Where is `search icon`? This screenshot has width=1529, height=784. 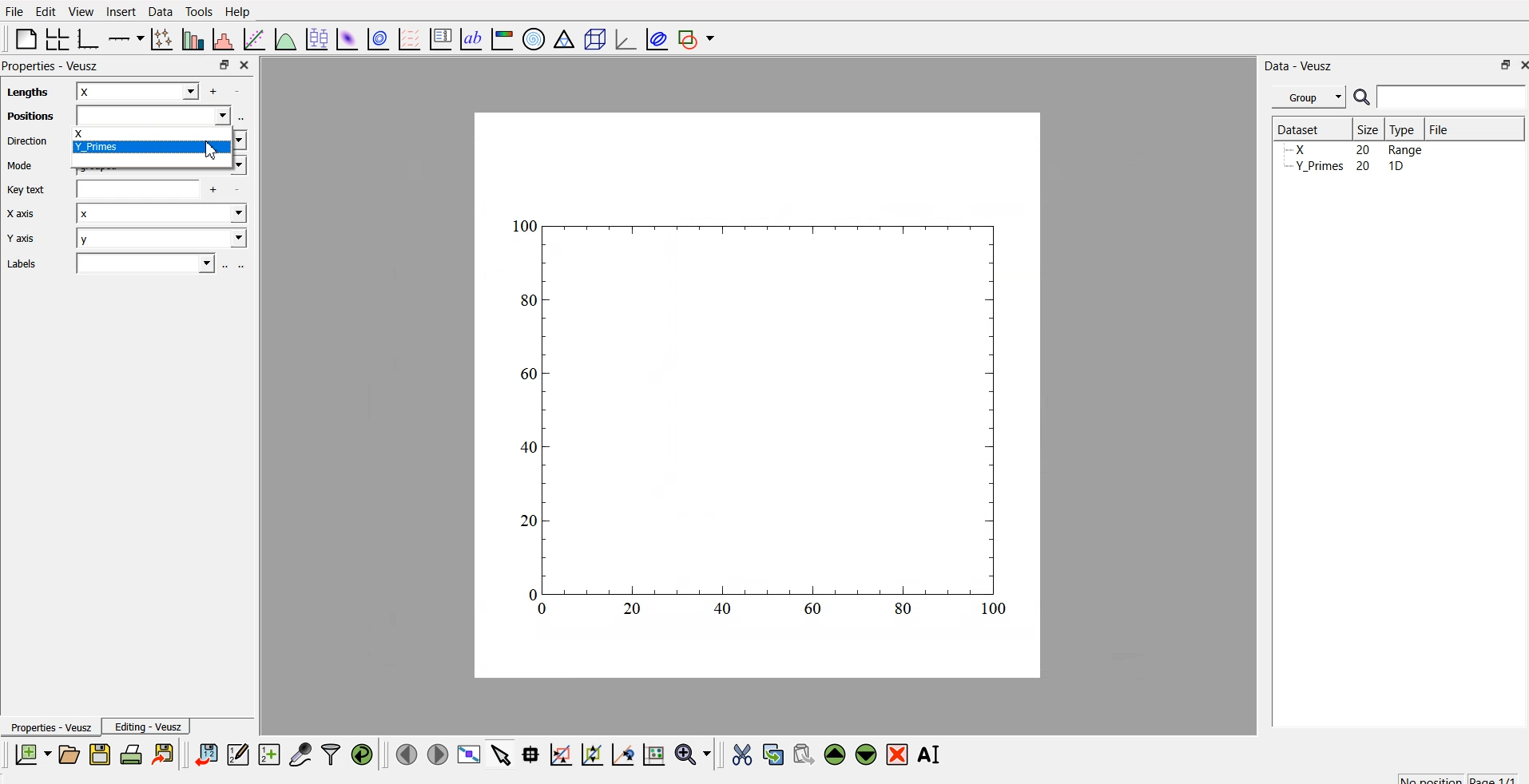
search icon is located at coordinates (1364, 99).